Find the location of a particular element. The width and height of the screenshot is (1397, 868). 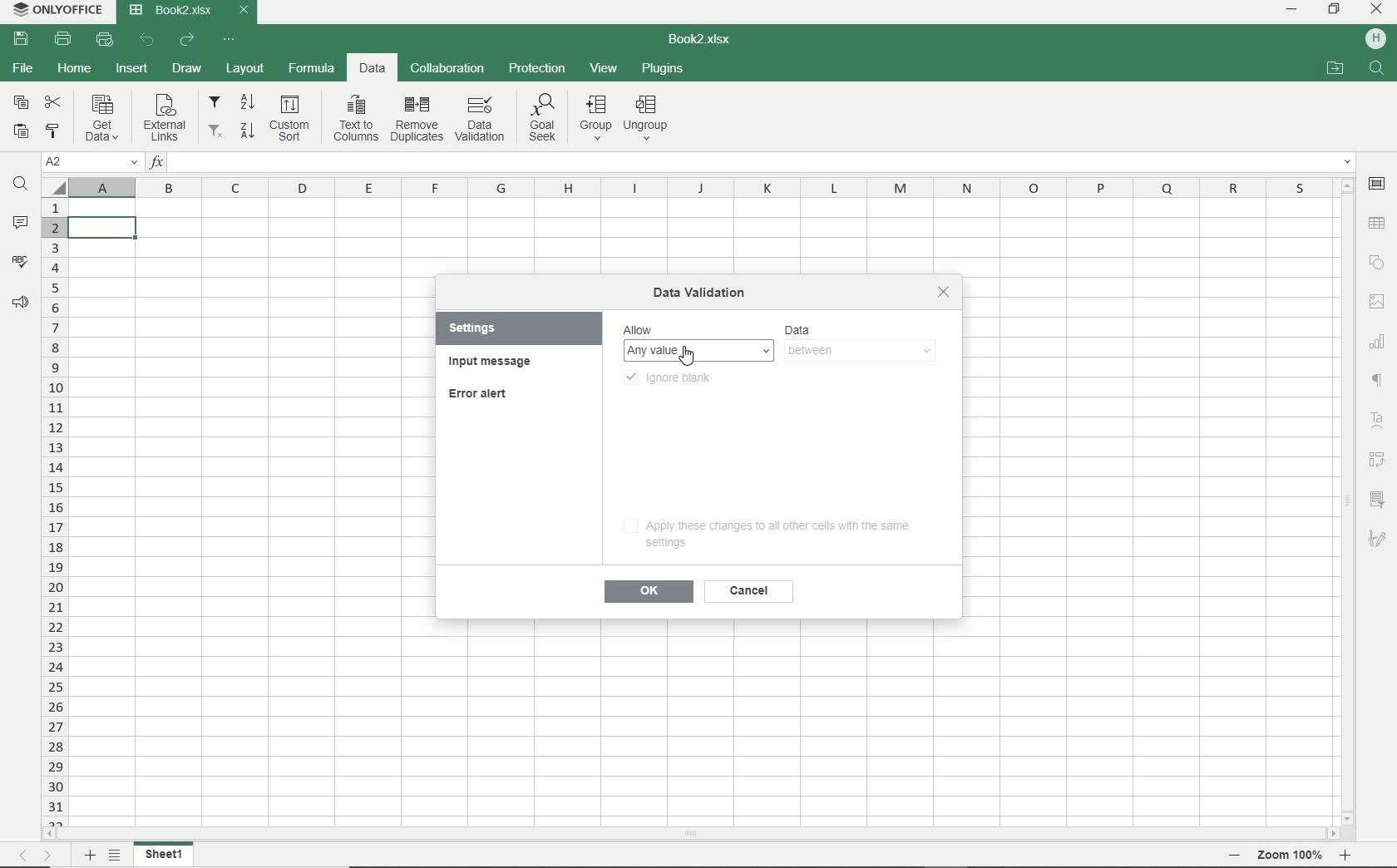

COLUMNS is located at coordinates (701, 186).